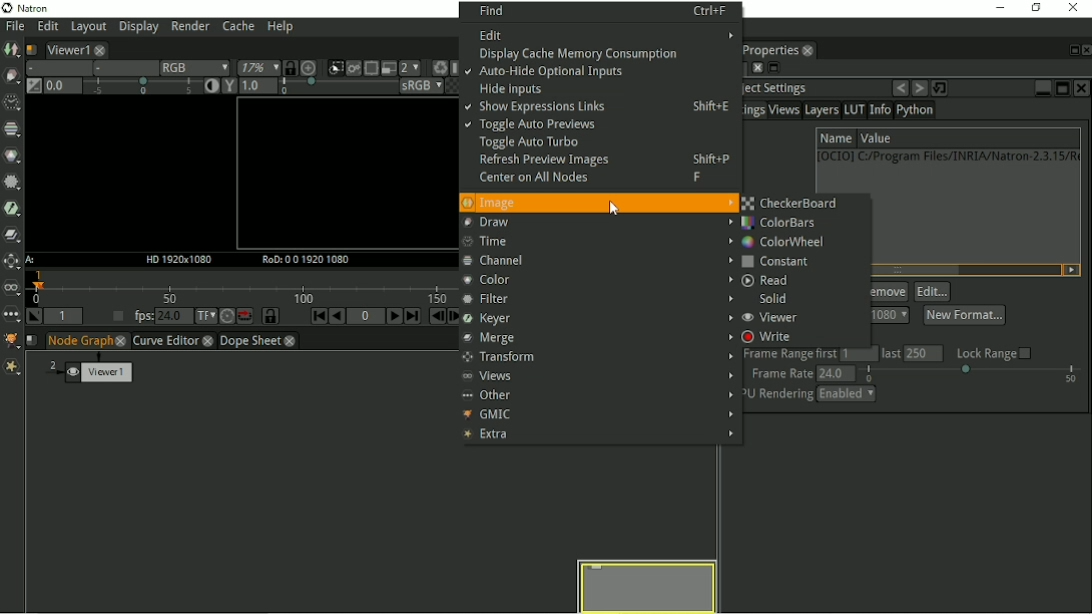  I want to click on Render, so click(193, 27).